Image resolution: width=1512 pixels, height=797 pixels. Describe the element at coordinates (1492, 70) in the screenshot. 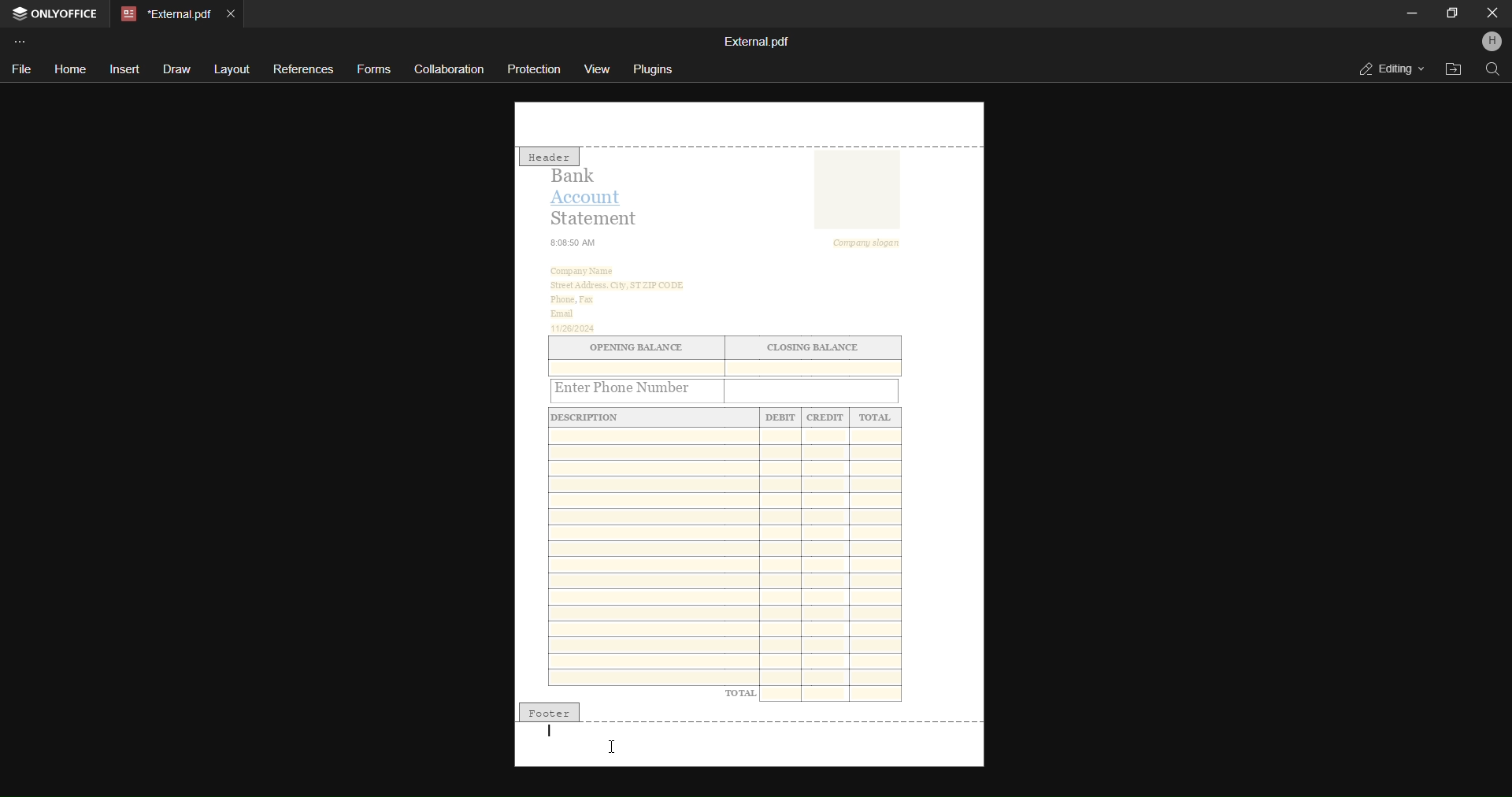

I see `search` at that location.